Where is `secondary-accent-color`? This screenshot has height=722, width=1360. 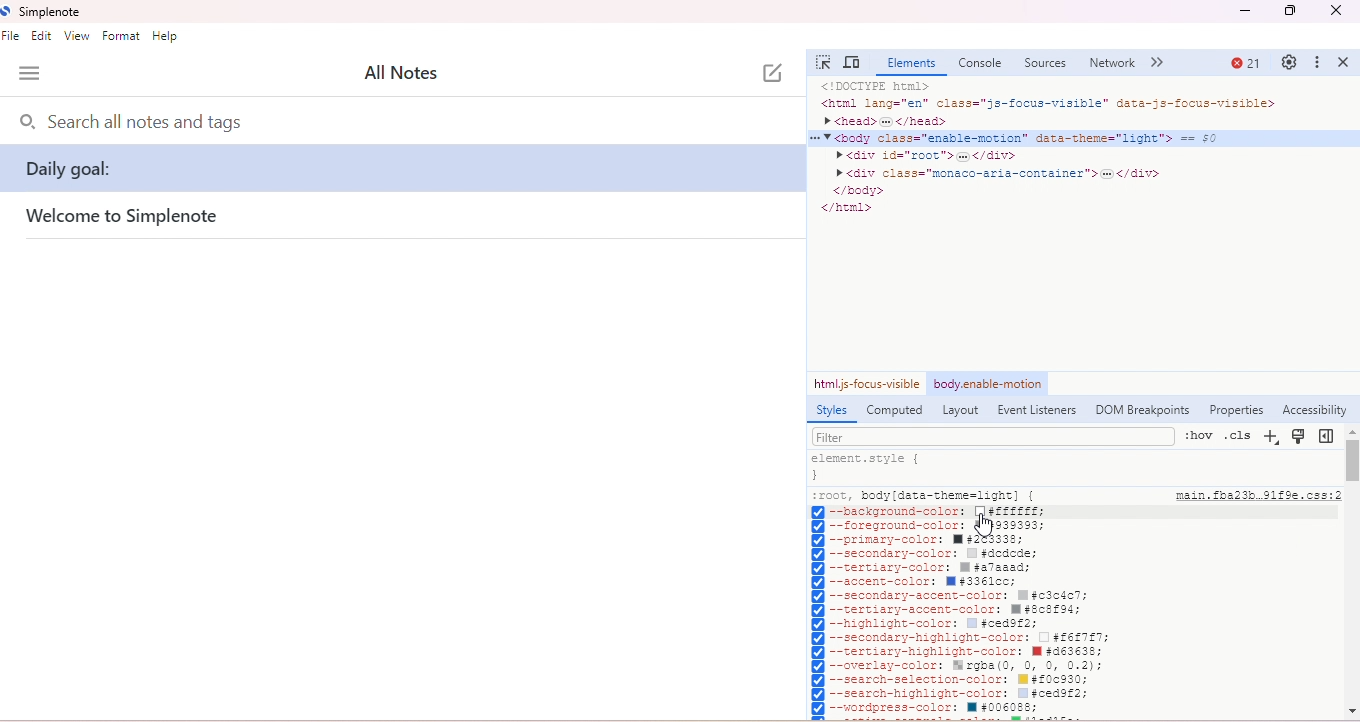 secondary-accent-color is located at coordinates (955, 597).